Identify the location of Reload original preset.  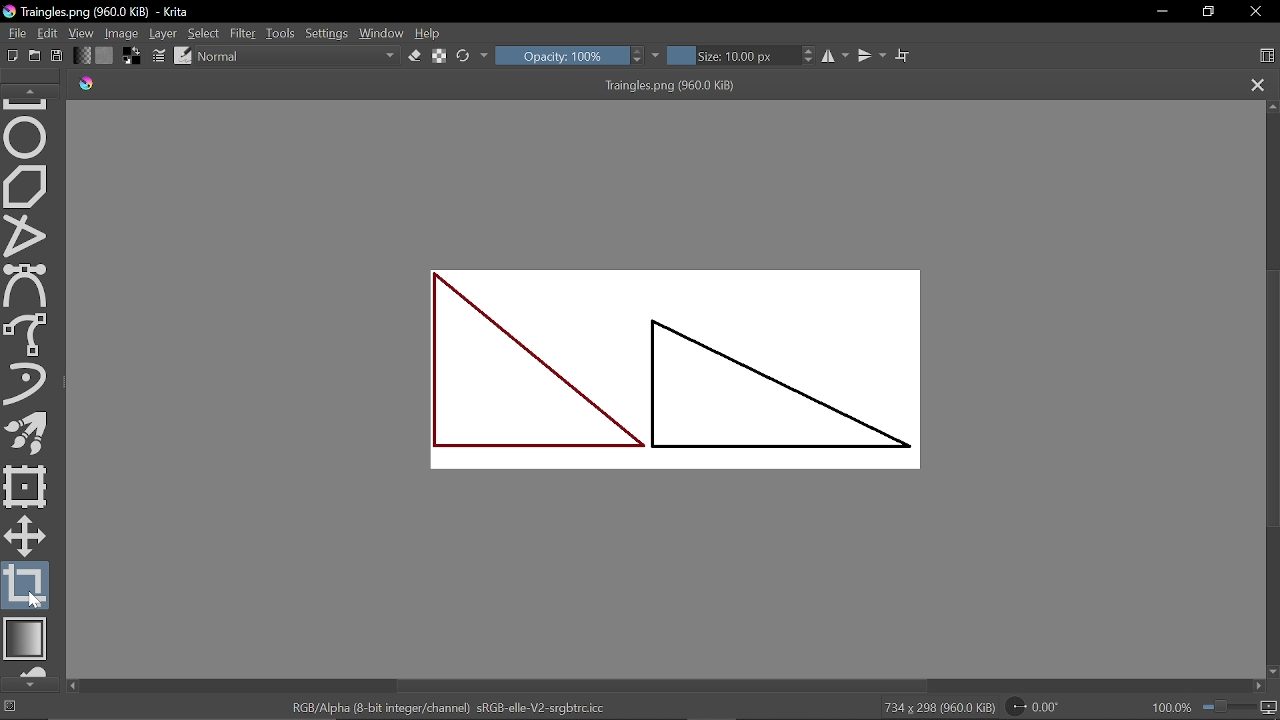
(464, 56).